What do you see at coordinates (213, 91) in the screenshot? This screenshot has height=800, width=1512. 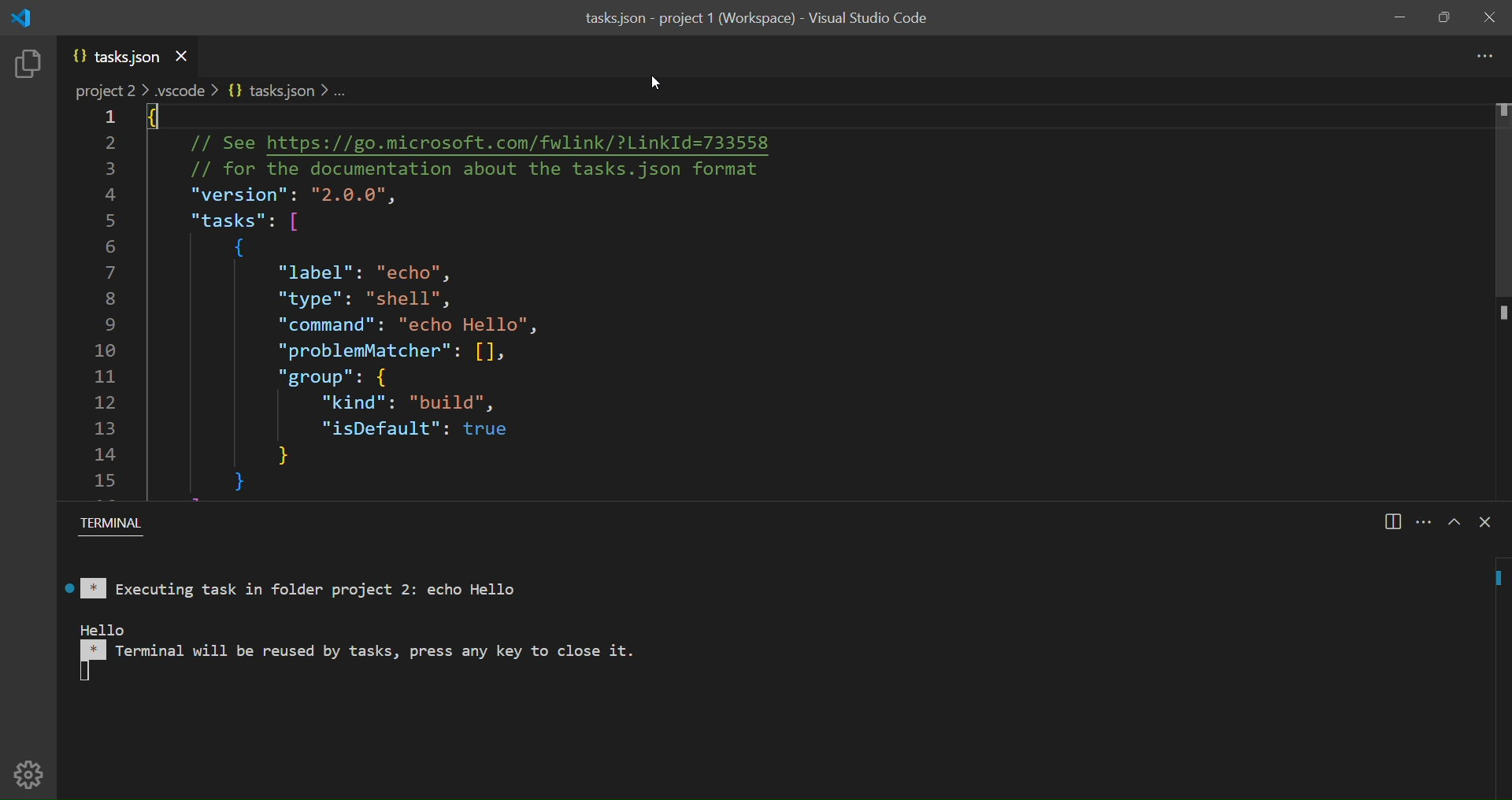 I see `path` at bounding box center [213, 91].